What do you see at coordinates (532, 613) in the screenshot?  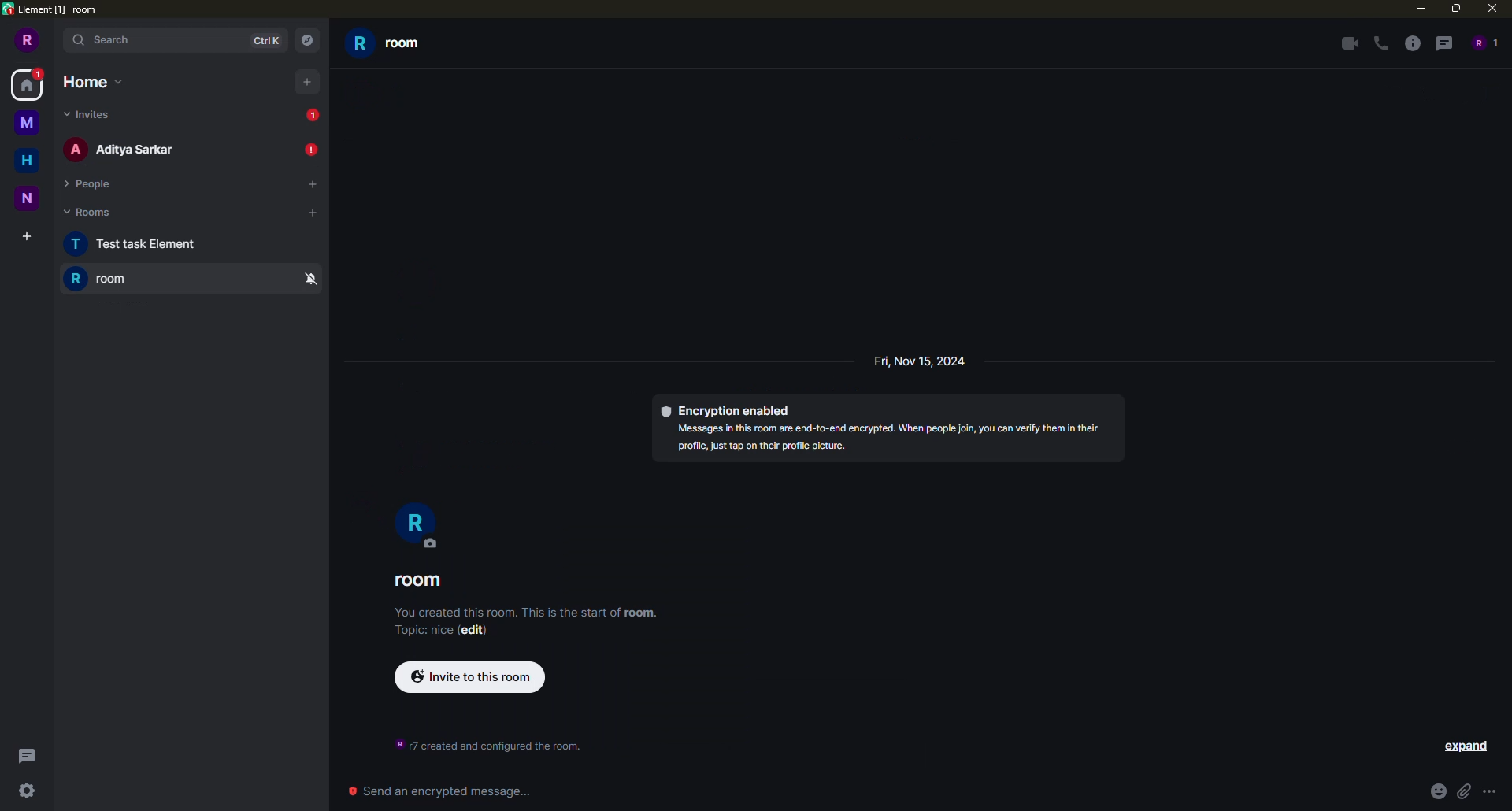 I see `info` at bounding box center [532, 613].